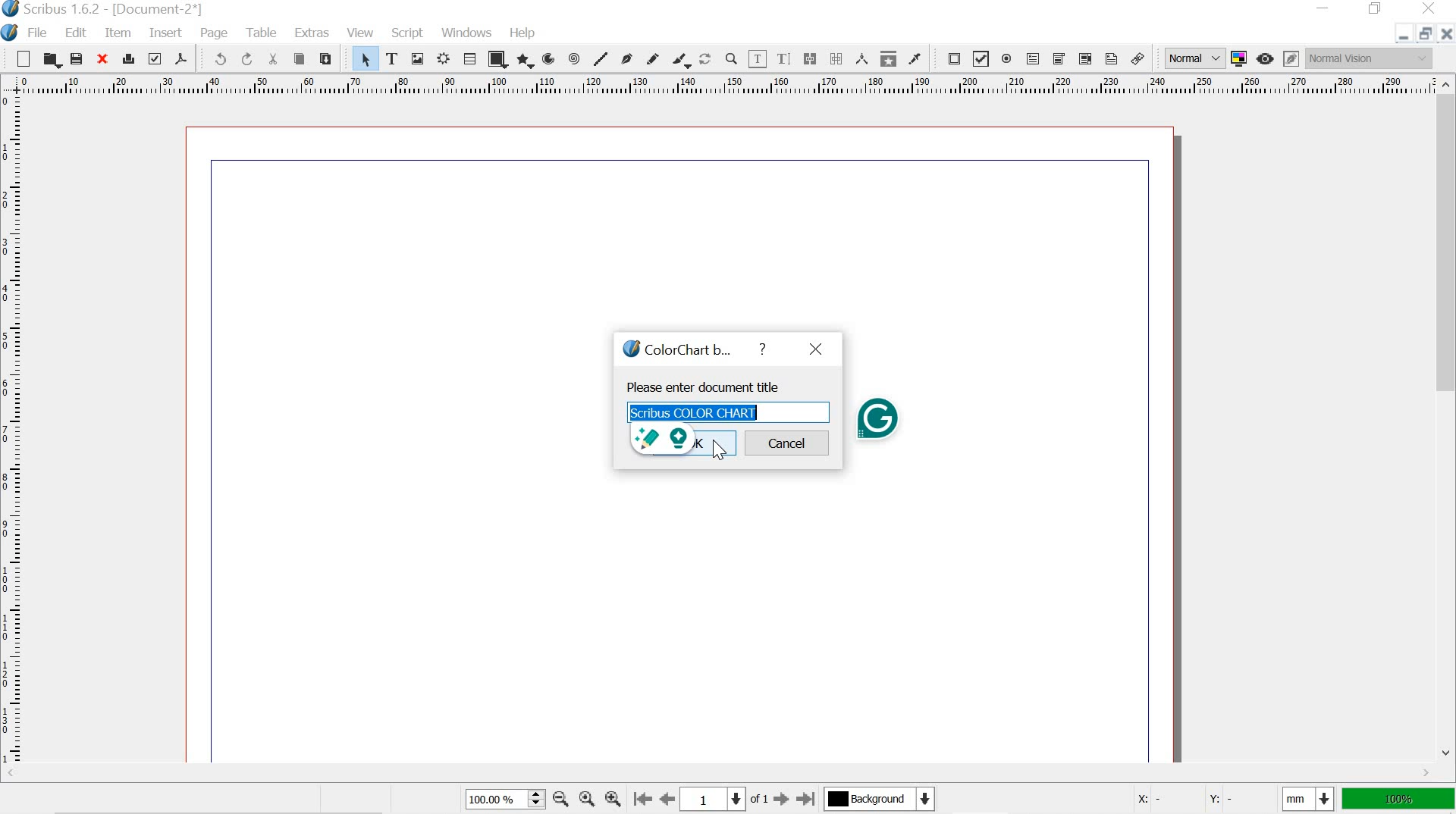 Image resolution: width=1456 pixels, height=814 pixels. I want to click on calligraphic line, so click(682, 61).